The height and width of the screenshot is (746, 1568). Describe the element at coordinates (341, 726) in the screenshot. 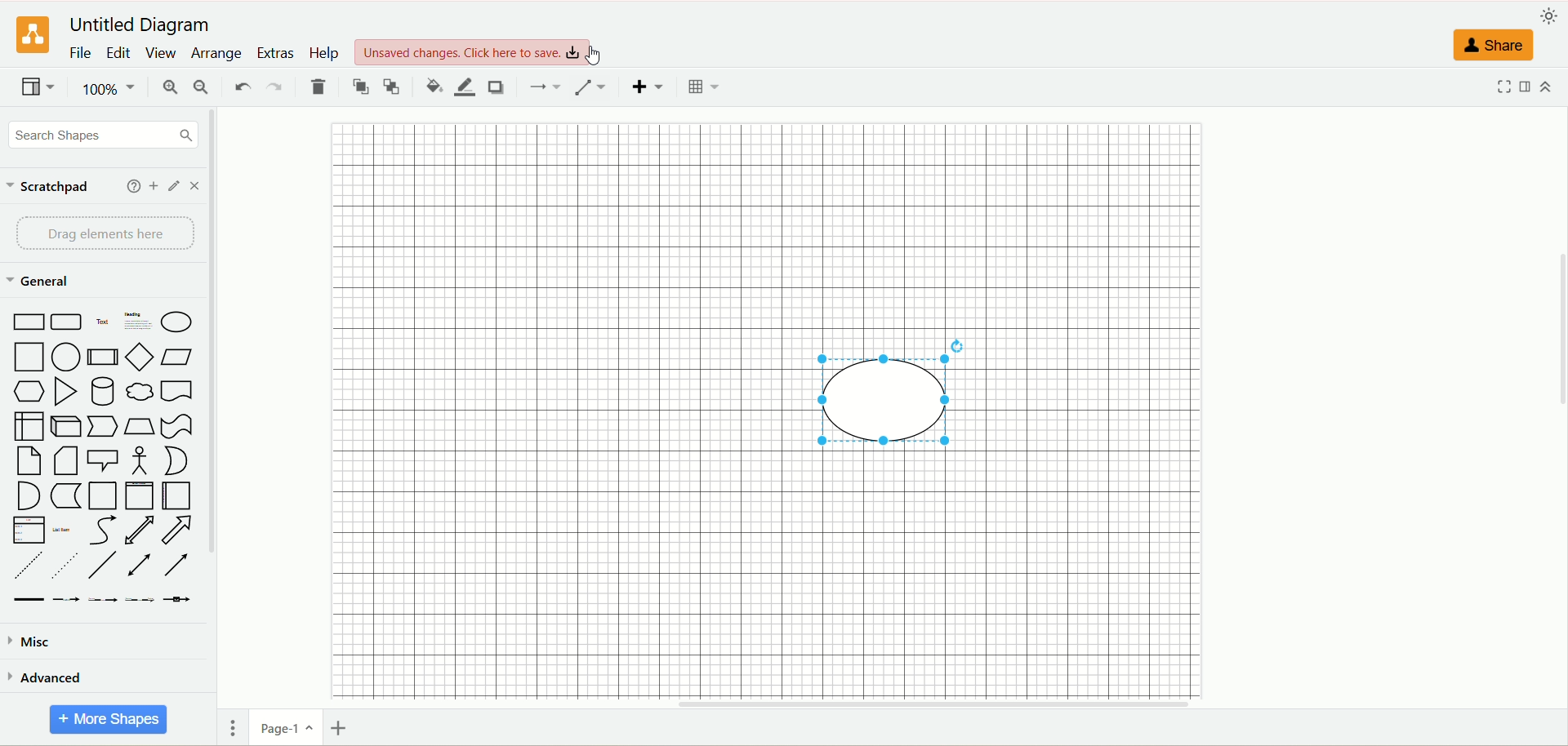

I see `insert page` at that location.